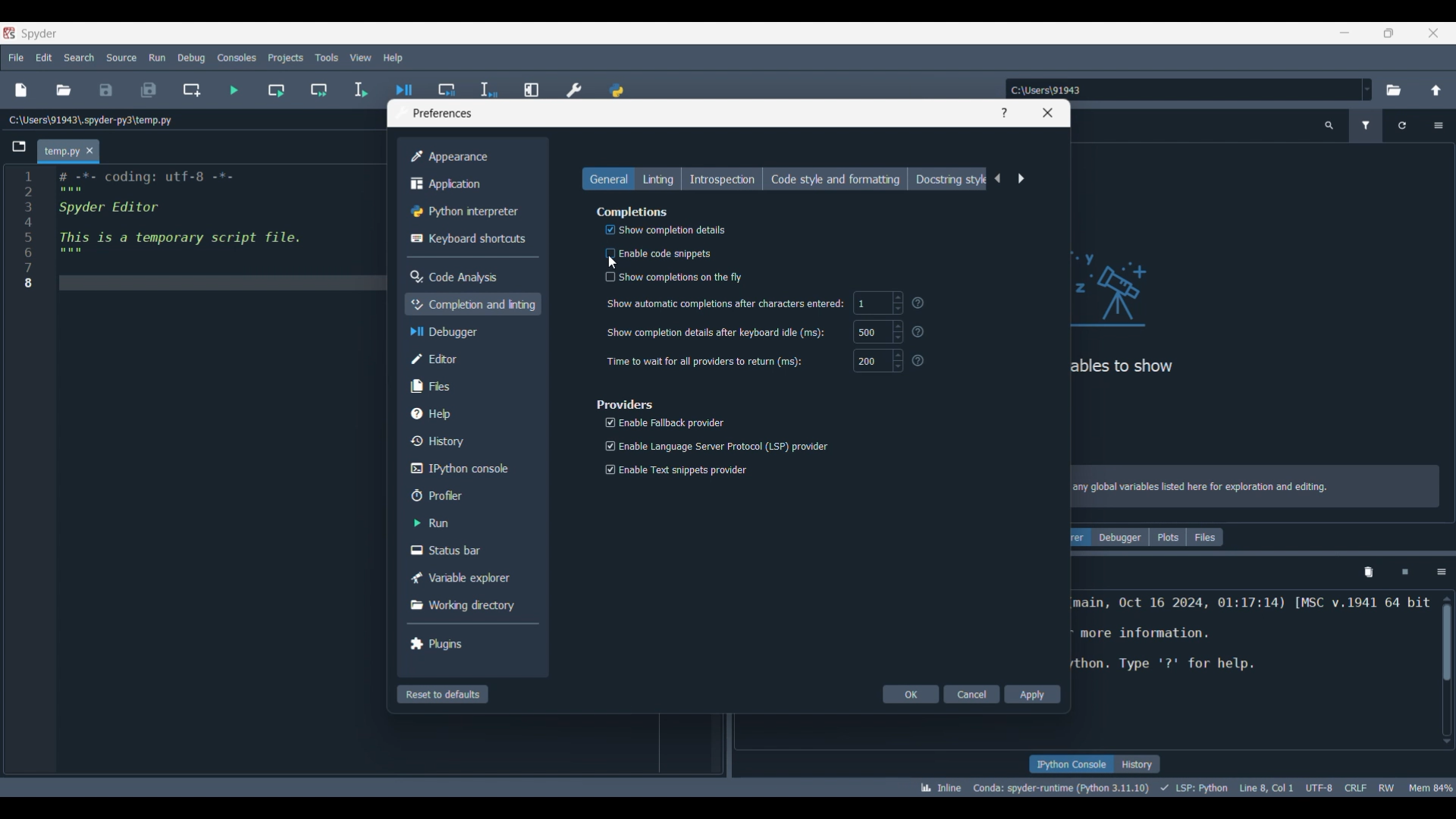 The height and width of the screenshot is (819, 1456). I want to click on Options, so click(1441, 573).